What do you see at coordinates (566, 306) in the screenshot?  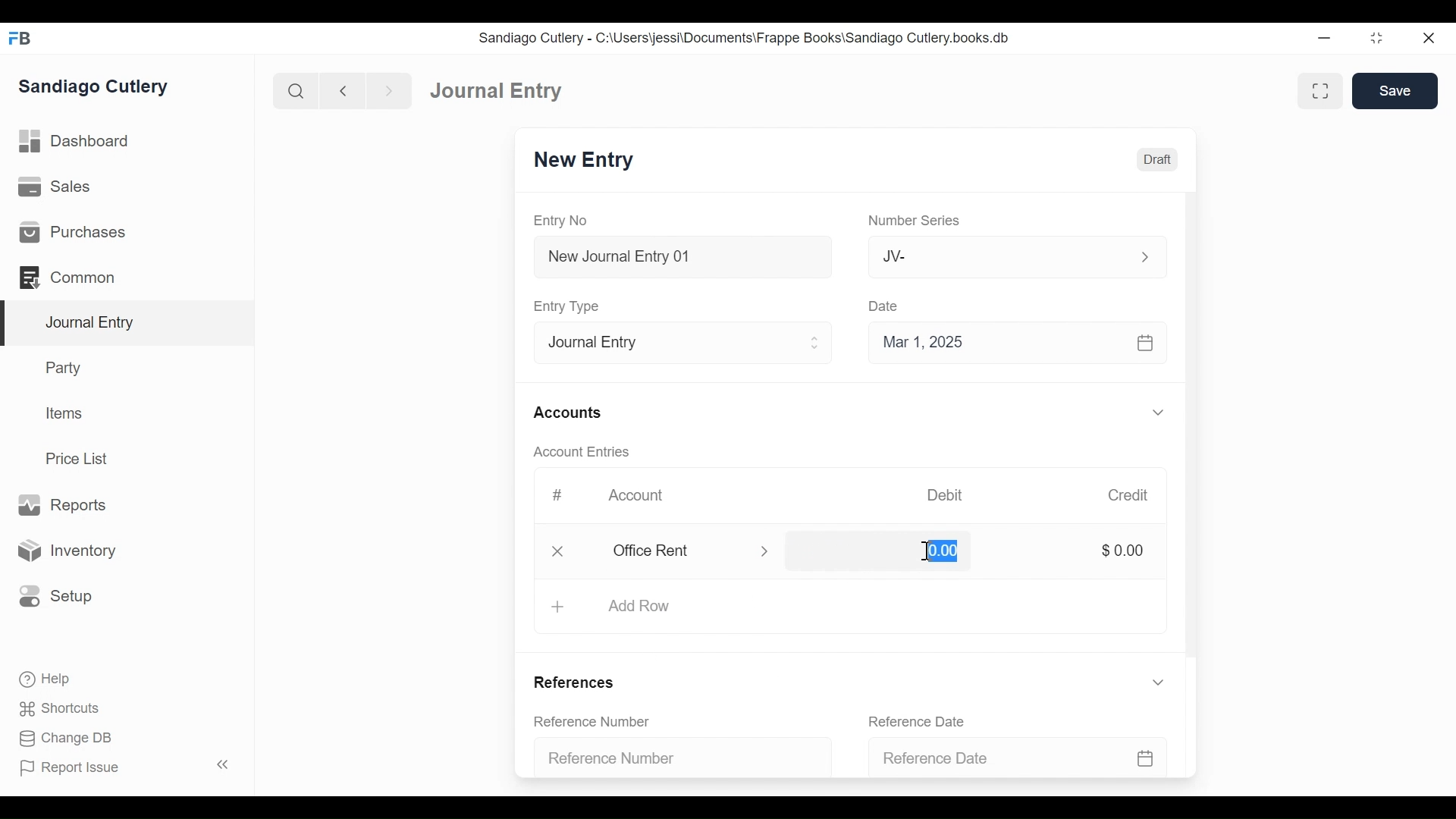 I see `Entry Type` at bounding box center [566, 306].